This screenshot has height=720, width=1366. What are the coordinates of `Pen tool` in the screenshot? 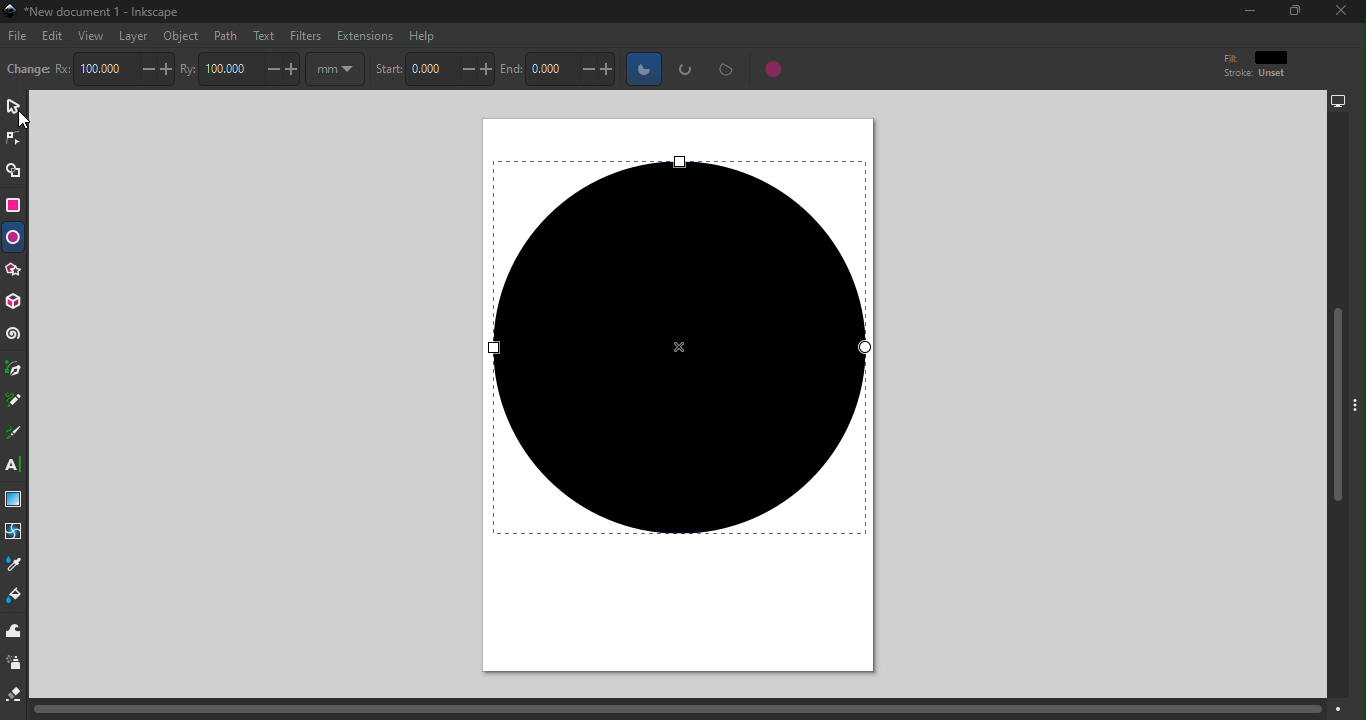 It's located at (18, 368).